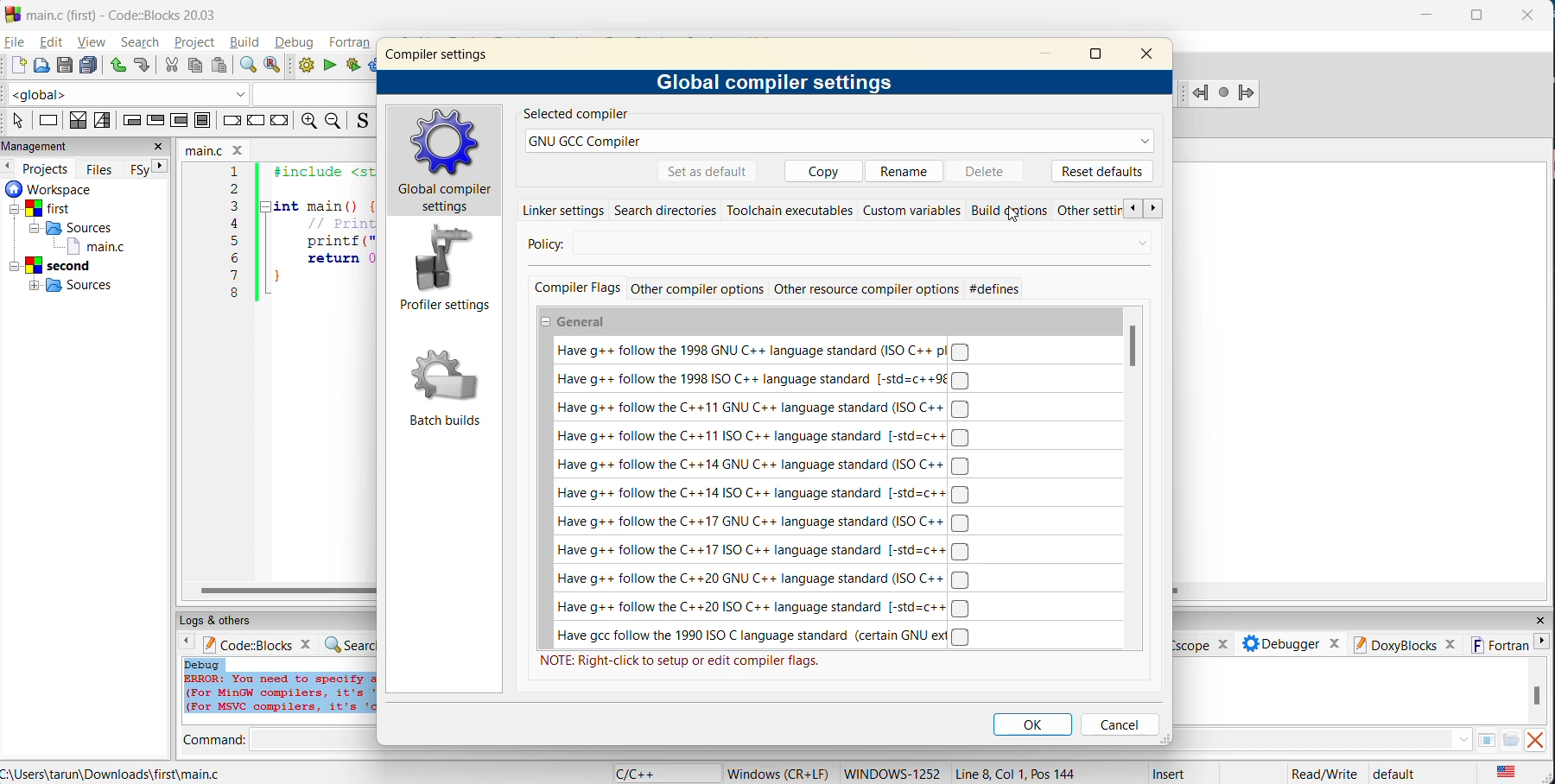 The width and height of the screenshot is (1555, 784). I want to click on batch builds, so click(446, 387).